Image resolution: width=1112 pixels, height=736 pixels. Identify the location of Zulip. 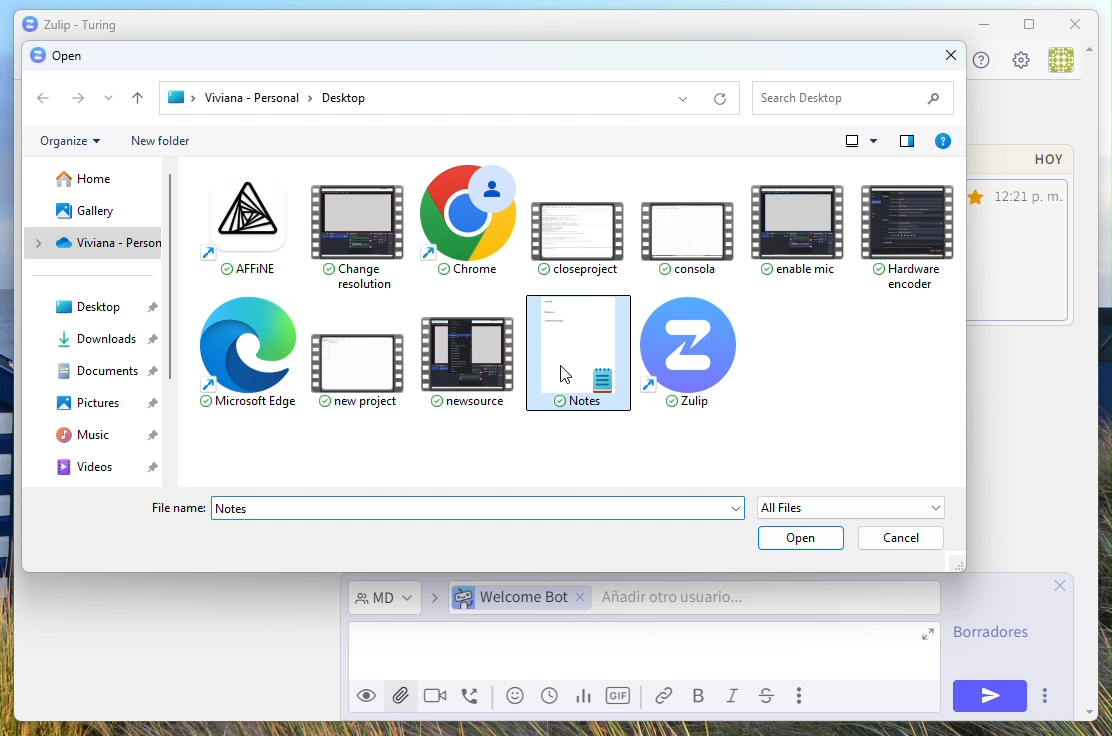
(69, 25).